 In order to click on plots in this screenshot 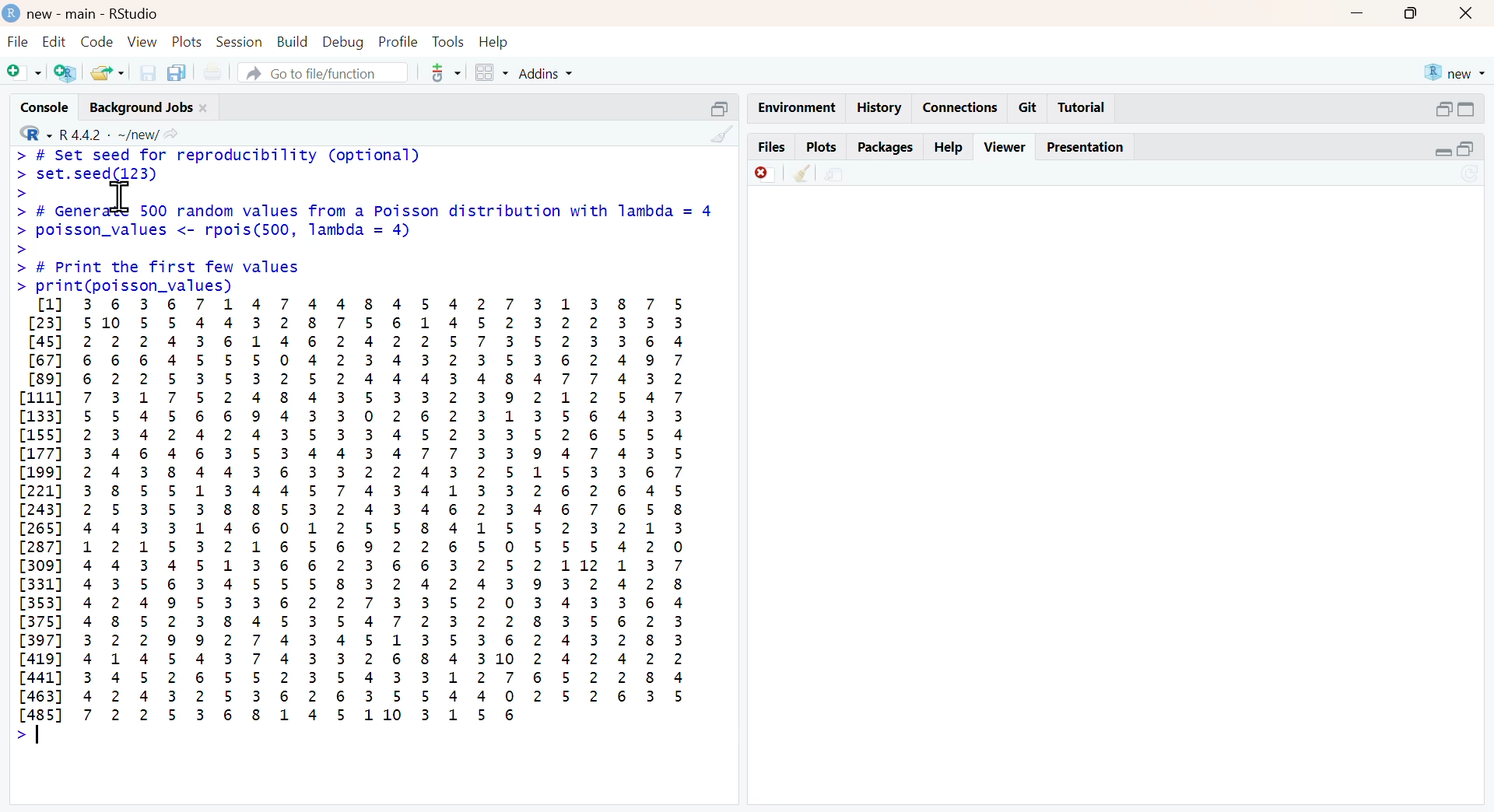, I will do `click(187, 41)`.